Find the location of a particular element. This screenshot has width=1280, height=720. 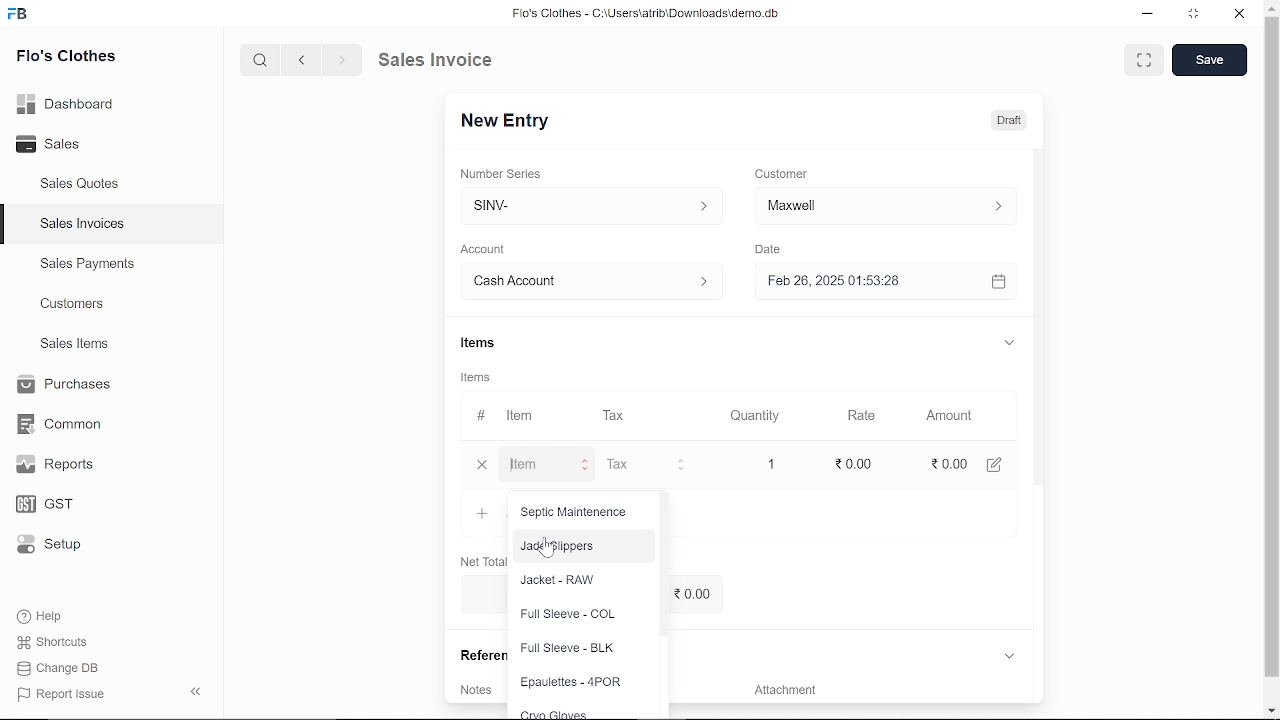

SINV-  is located at coordinates (595, 206).